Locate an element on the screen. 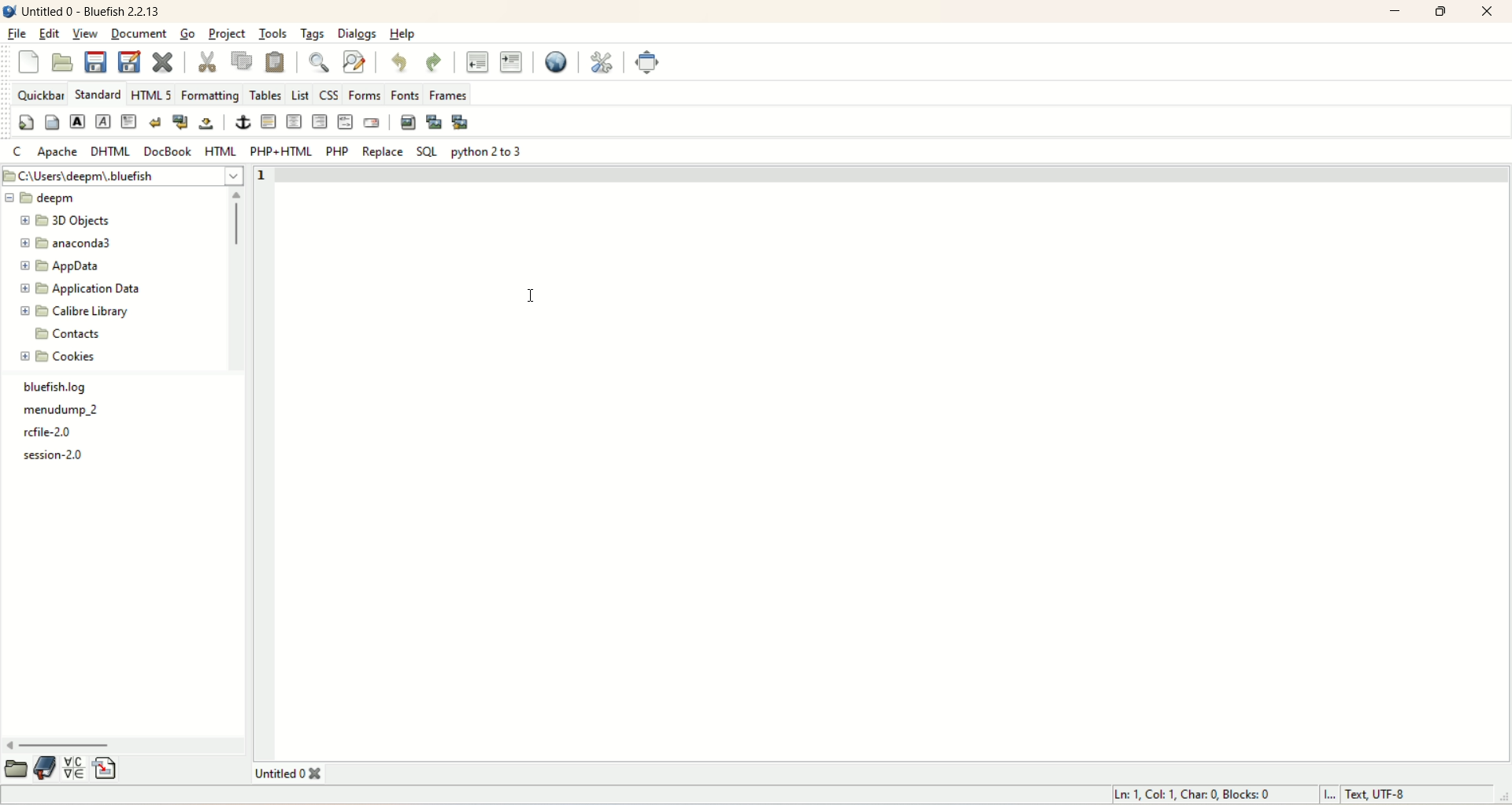 The height and width of the screenshot is (805, 1512). HTML comment is located at coordinates (343, 121).